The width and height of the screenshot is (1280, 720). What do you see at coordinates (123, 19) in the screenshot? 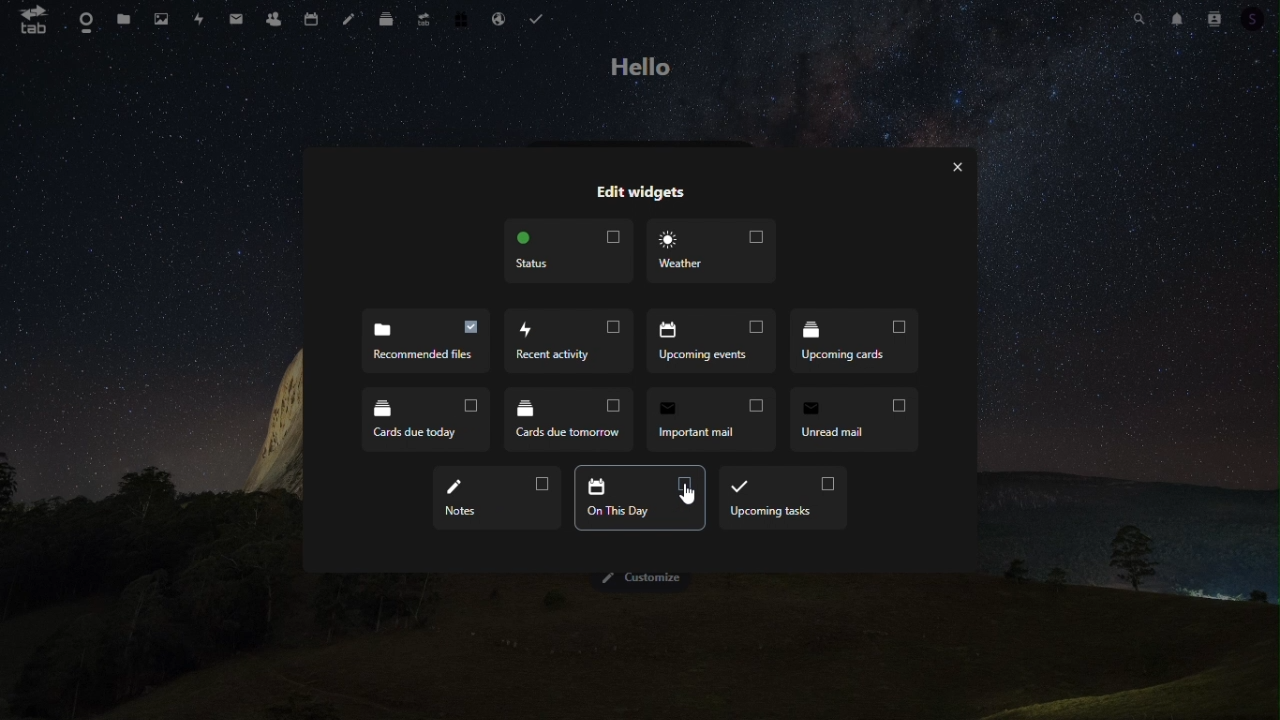
I see `files` at bounding box center [123, 19].